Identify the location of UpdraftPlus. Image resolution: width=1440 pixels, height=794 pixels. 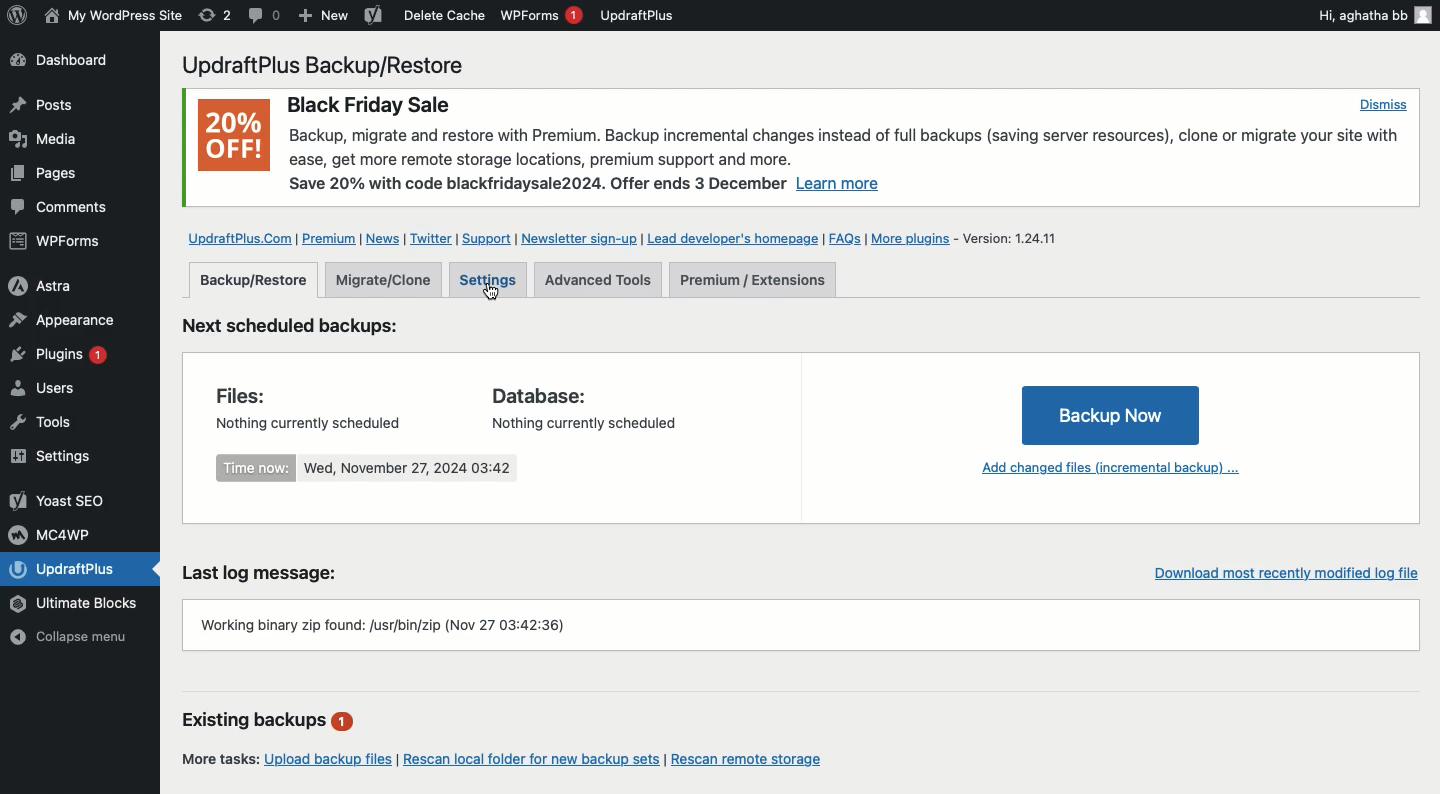
(638, 15).